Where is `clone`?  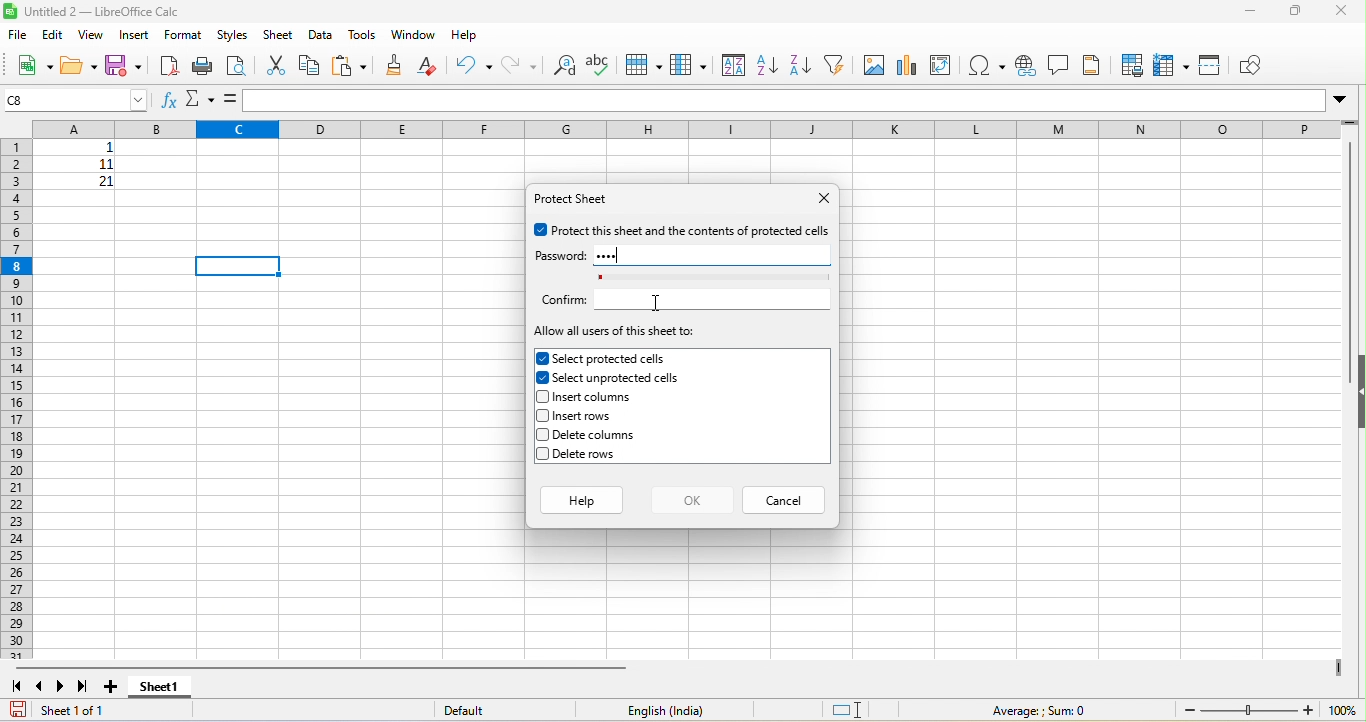
clone is located at coordinates (397, 65).